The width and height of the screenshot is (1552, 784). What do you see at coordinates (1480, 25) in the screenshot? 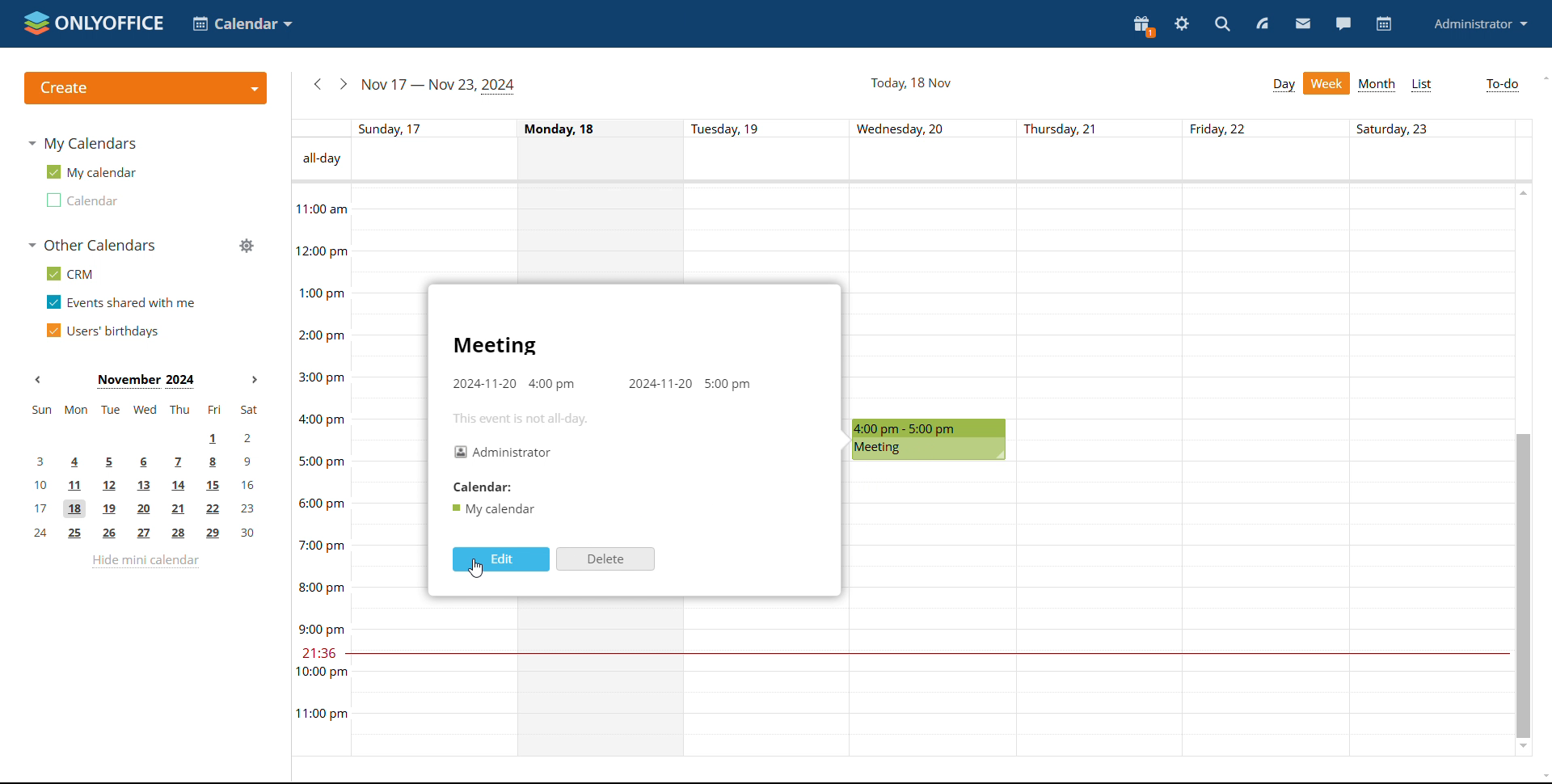
I see `profile` at bounding box center [1480, 25].